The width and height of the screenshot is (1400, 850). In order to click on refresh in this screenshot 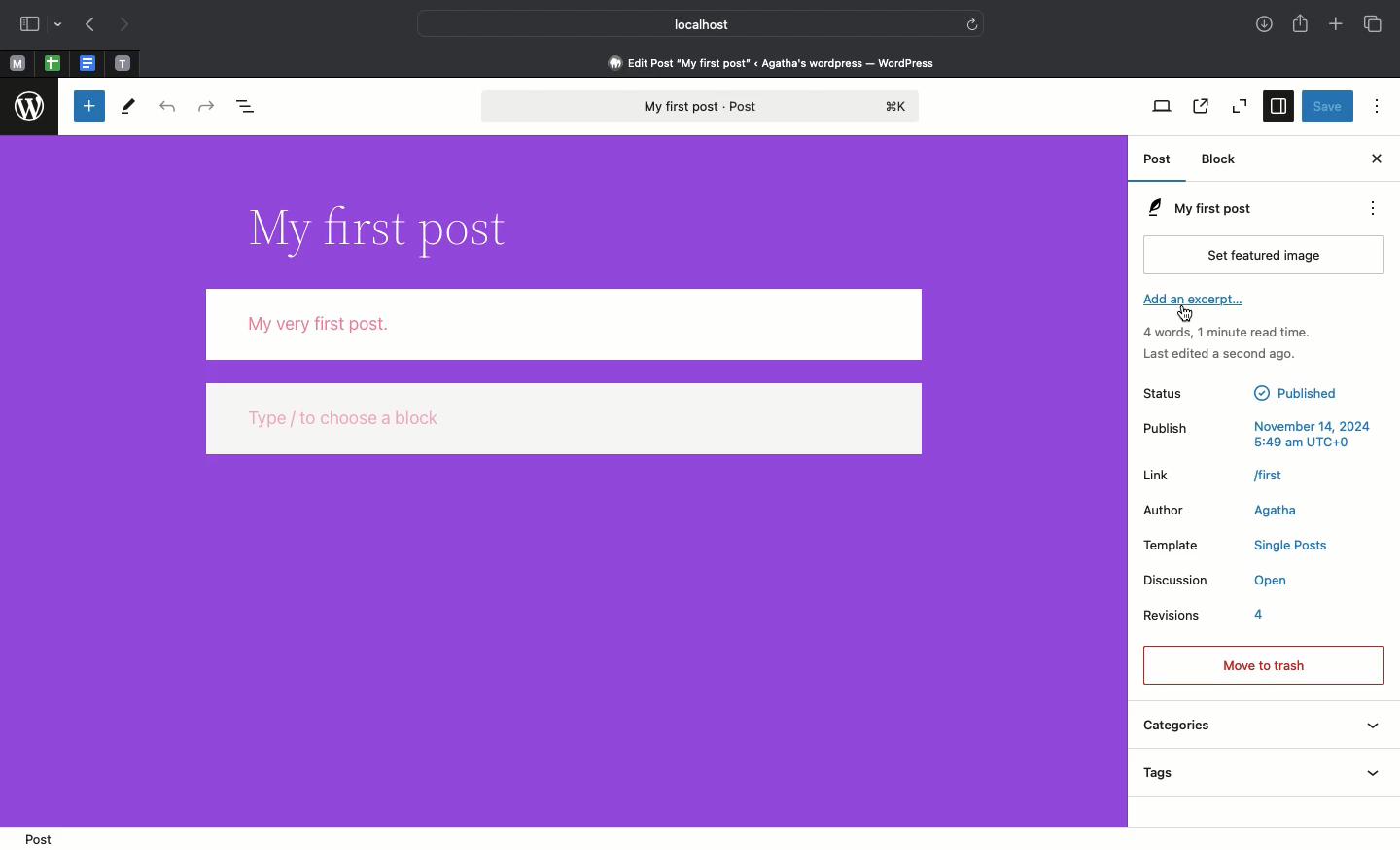, I will do `click(975, 21)`.